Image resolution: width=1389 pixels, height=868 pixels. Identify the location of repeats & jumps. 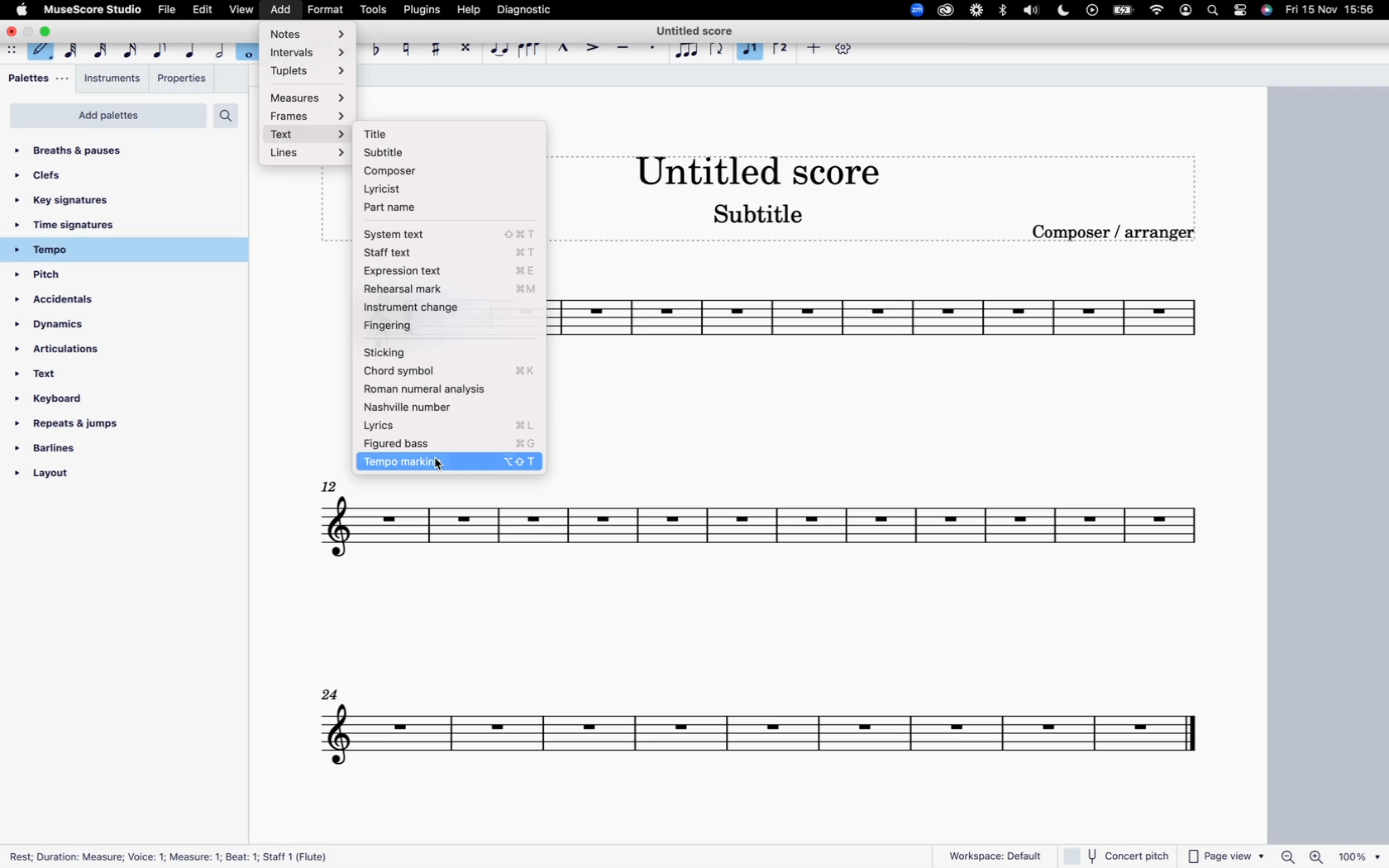
(80, 427).